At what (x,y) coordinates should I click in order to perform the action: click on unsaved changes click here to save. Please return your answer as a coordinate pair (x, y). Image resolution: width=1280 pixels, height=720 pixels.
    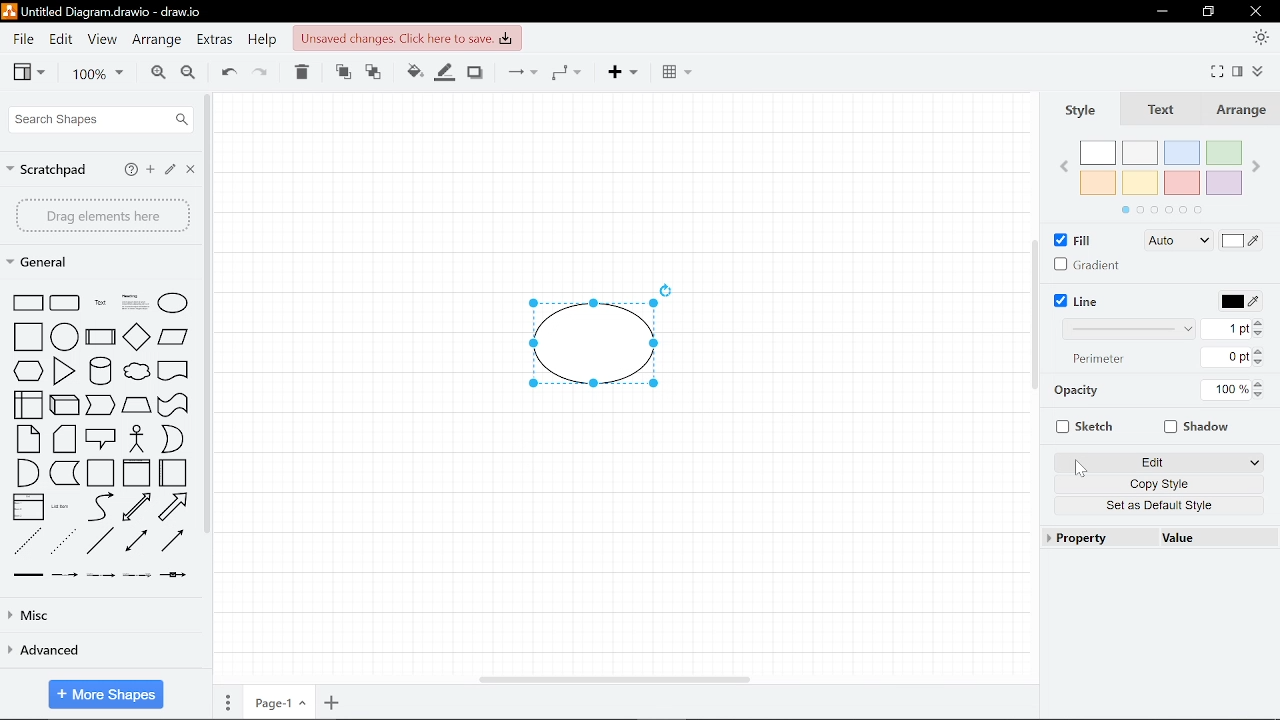
    Looking at the image, I should click on (407, 38).